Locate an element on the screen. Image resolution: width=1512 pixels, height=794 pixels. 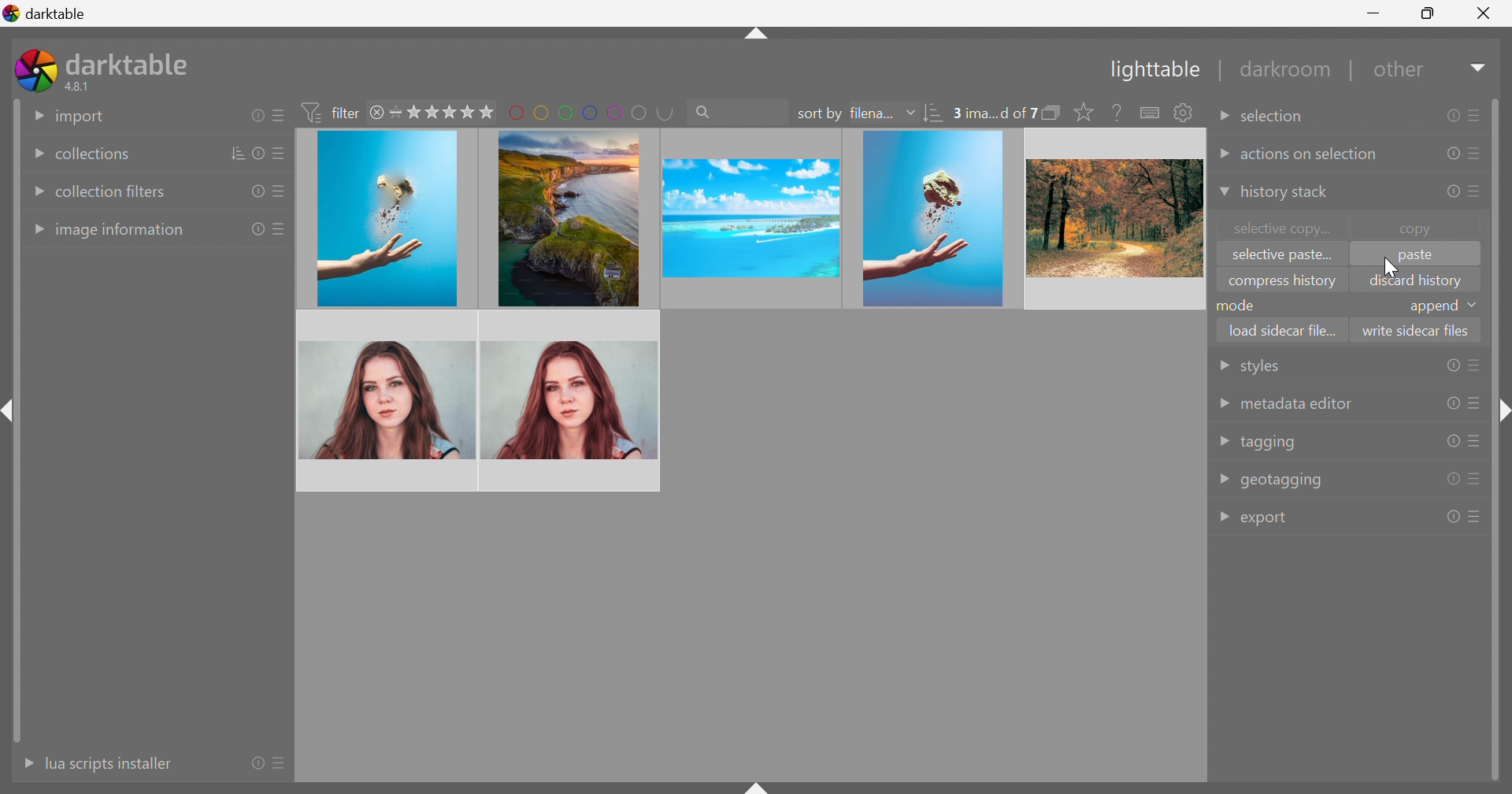
Drop Down is located at coordinates (1222, 154).